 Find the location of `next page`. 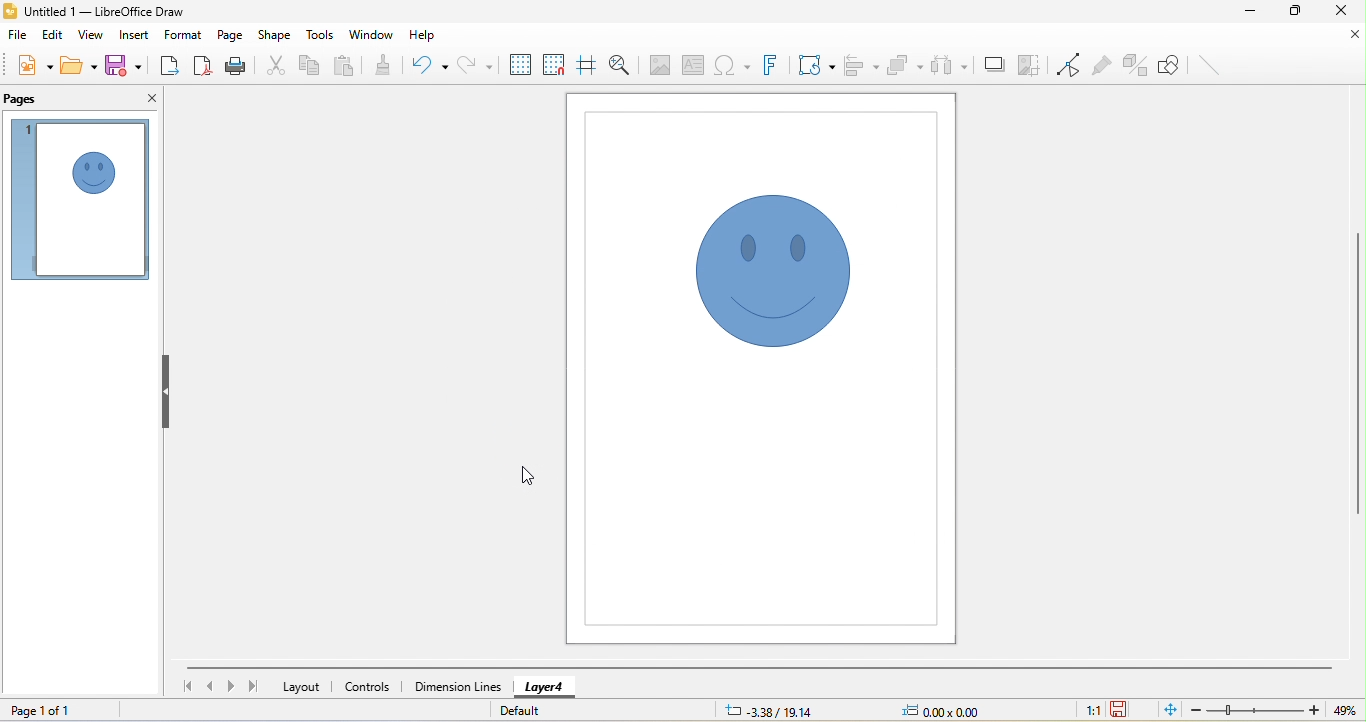

next page is located at coordinates (230, 687).